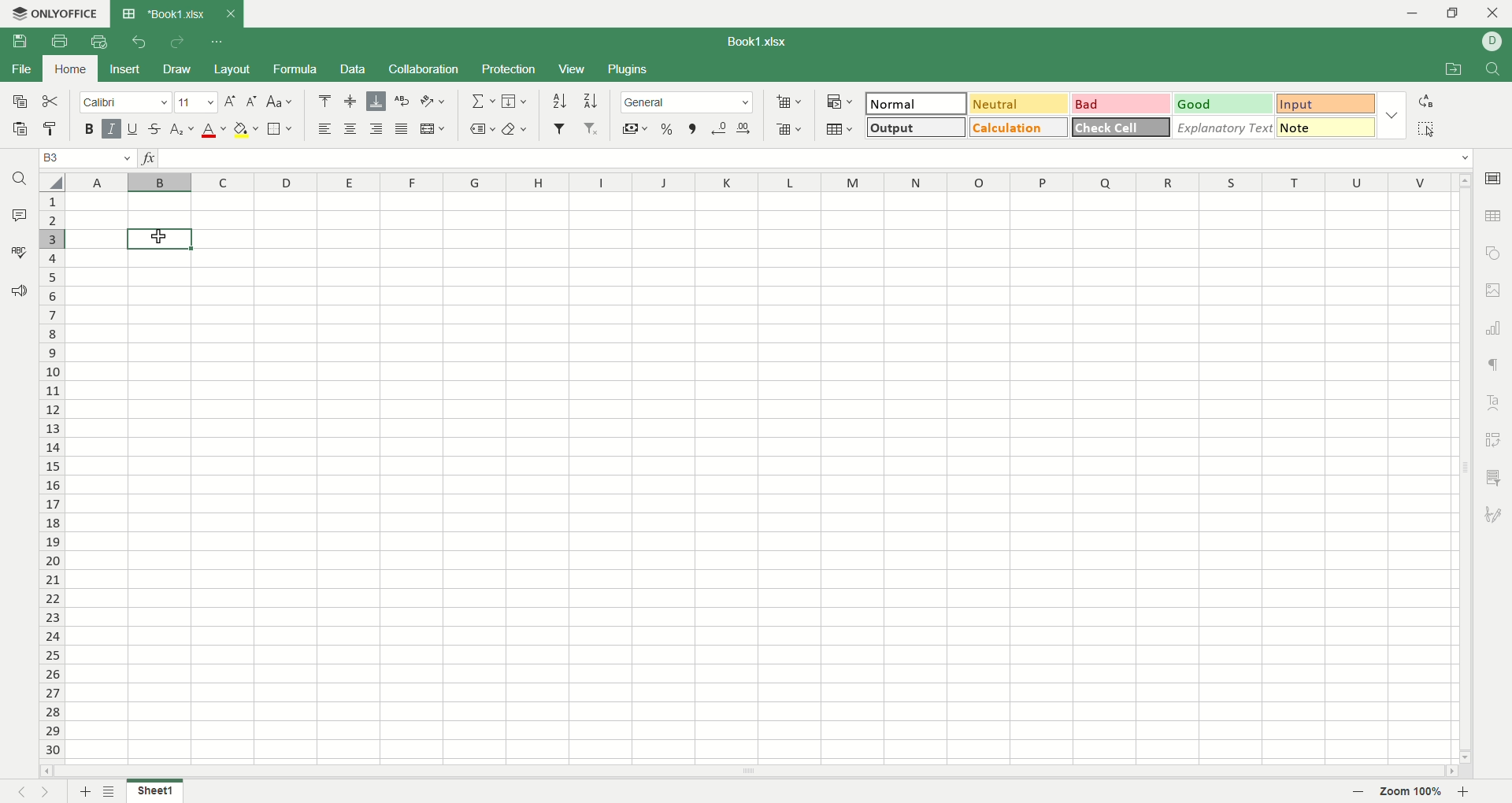 Image resolution: width=1512 pixels, height=803 pixels. Describe the element at coordinates (234, 70) in the screenshot. I see `layout` at that location.